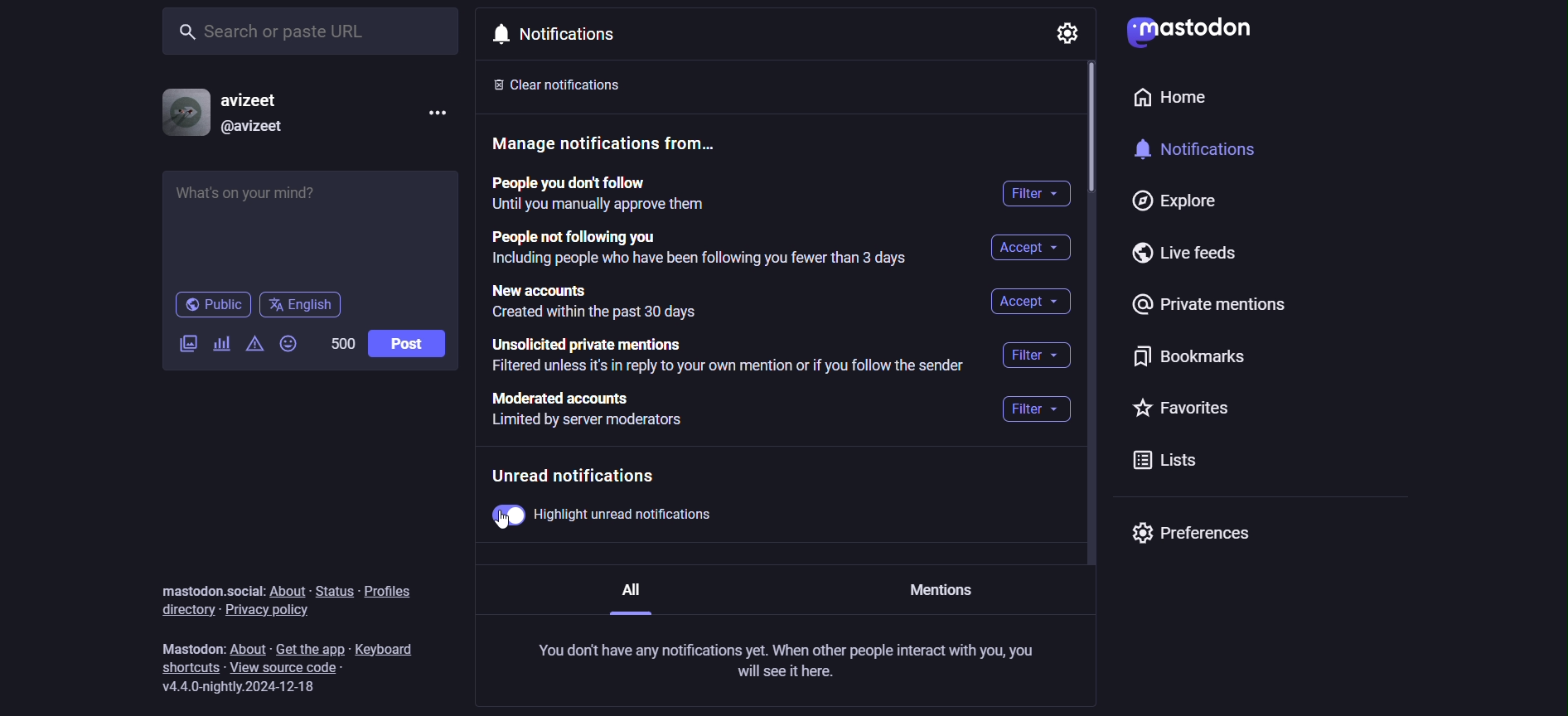 The width and height of the screenshot is (1568, 716). I want to click on lists, so click(1160, 464).